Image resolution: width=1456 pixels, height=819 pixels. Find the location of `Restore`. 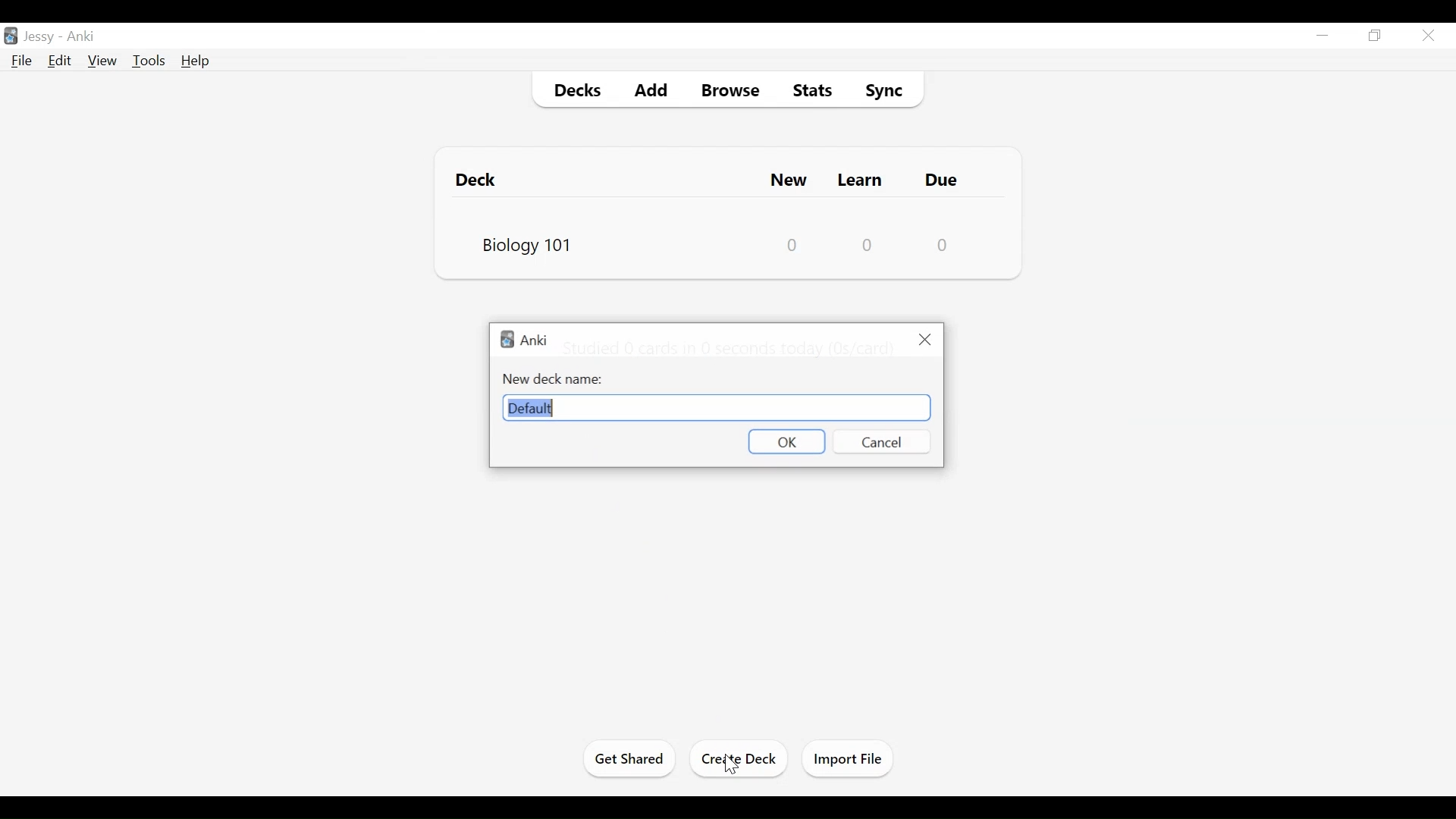

Restore is located at coordinates (1375, 35).